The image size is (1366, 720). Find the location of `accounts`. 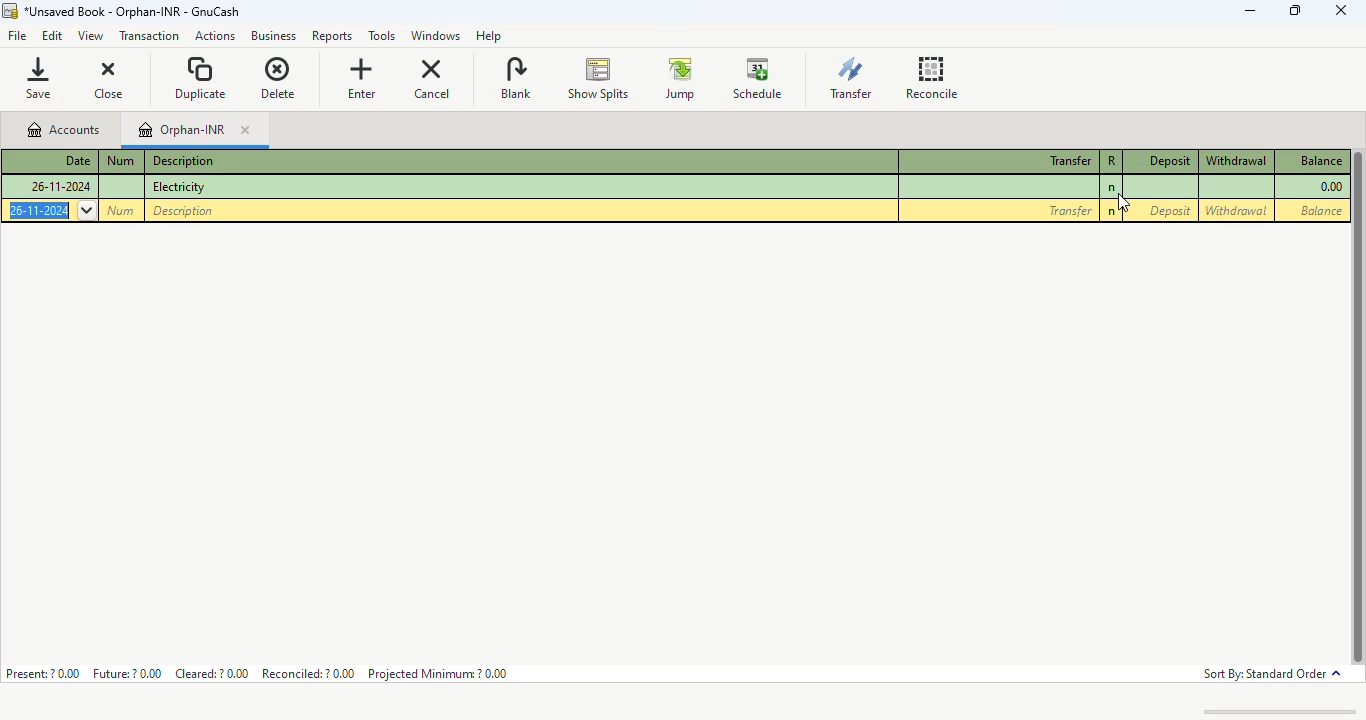

accounts is located at coordinates (62, 130).